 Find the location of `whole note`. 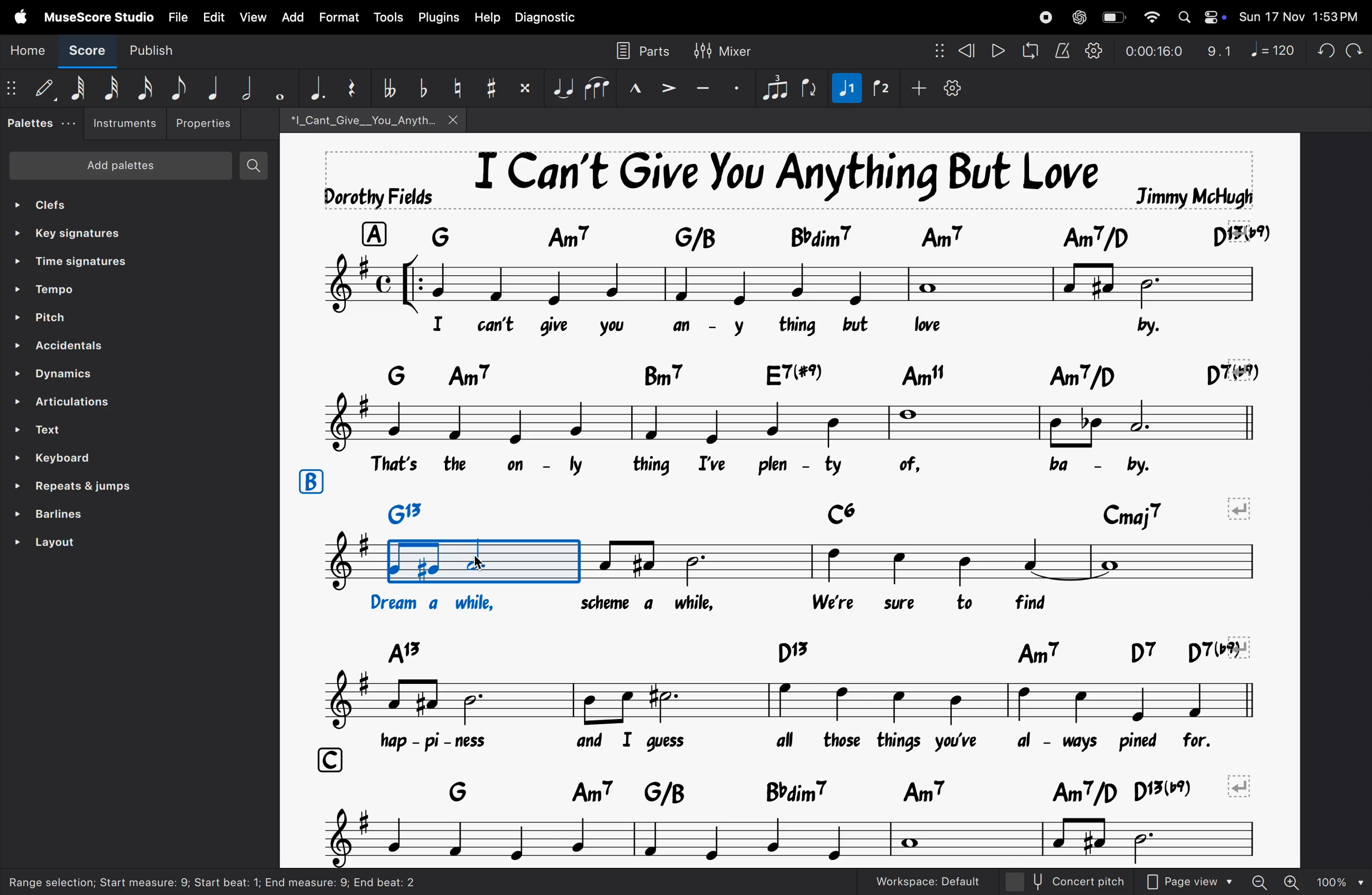

whole note is located at coordinates (276, 89).